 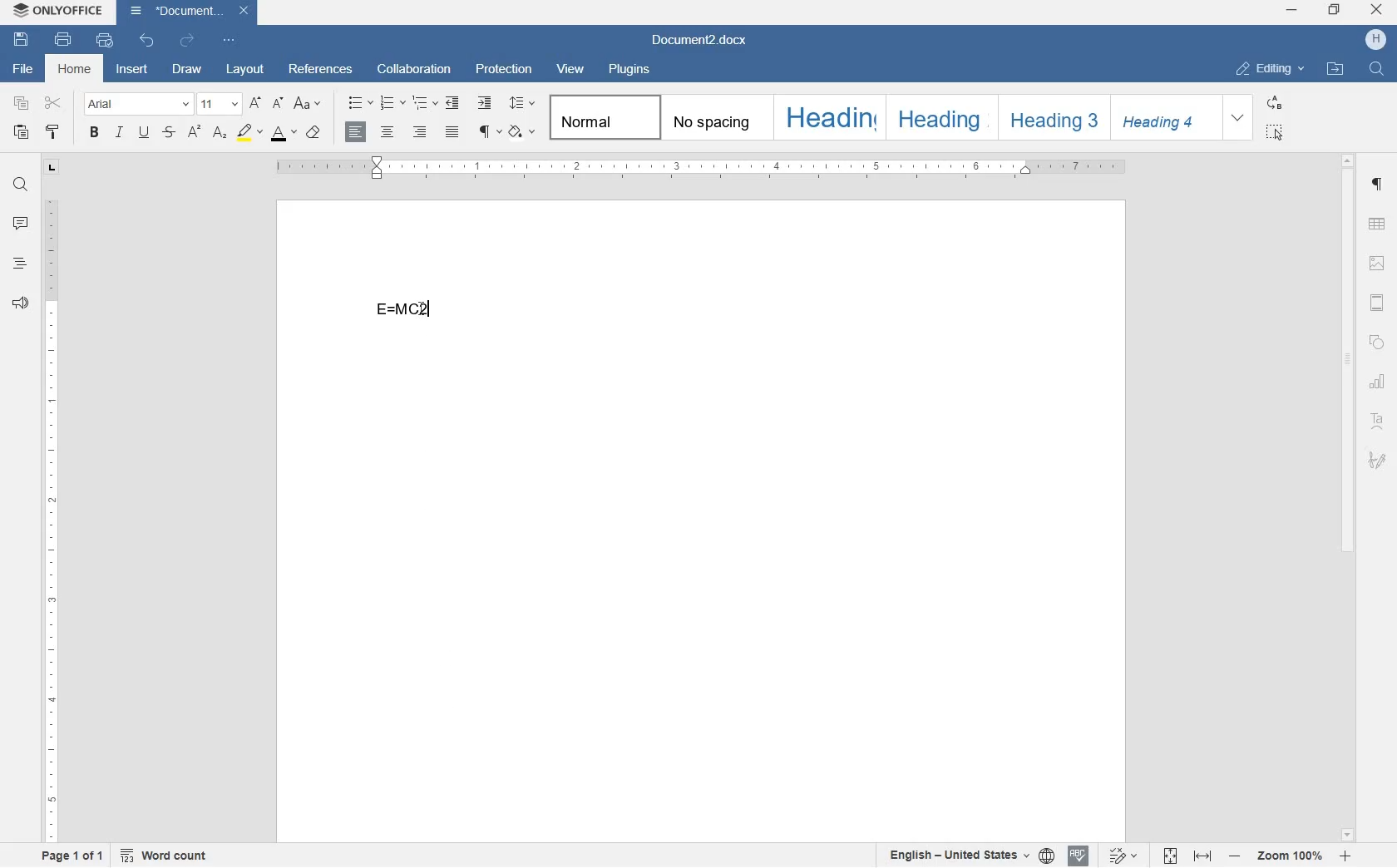 What do you see at coordinates (52, 519) in the screenshot?
I see `ruler` at bounding box center [52, 519].